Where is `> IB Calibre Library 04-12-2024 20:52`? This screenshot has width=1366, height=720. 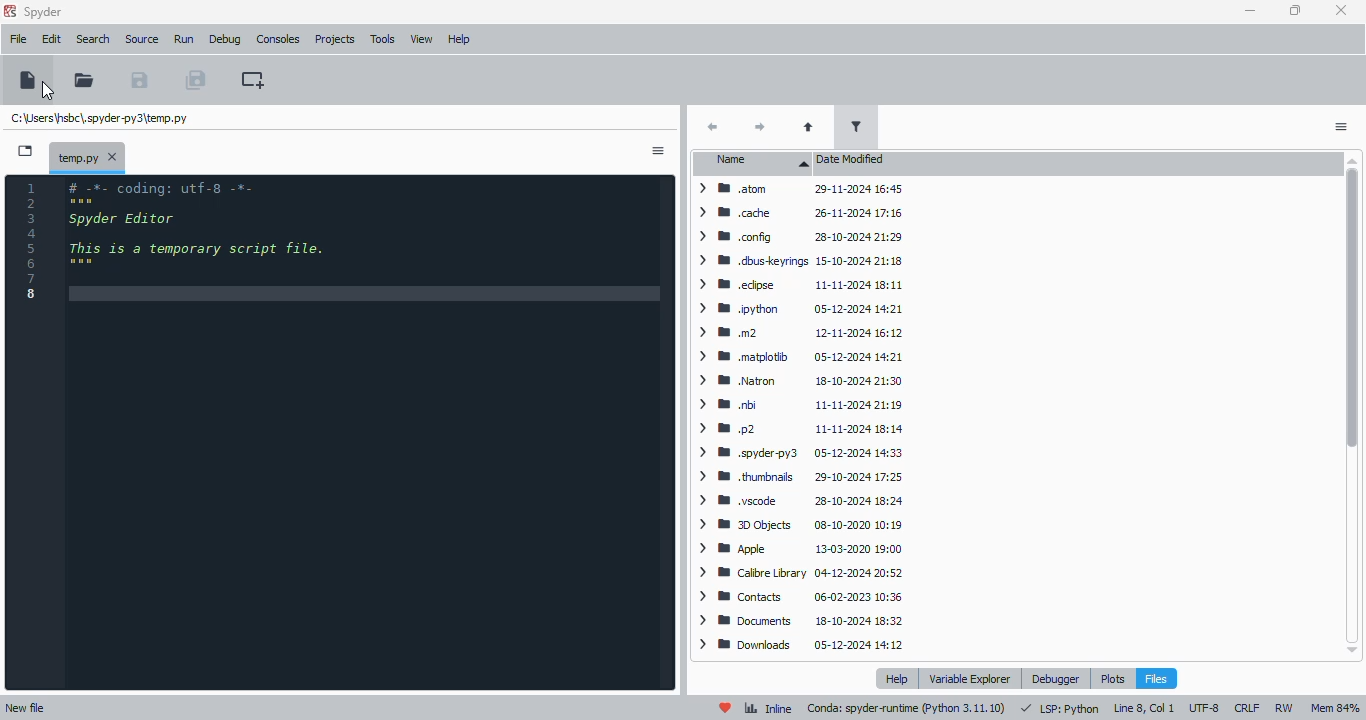
> IB Calibre Library 04-12-2024 20:52 is located at coordinates (798, 574).